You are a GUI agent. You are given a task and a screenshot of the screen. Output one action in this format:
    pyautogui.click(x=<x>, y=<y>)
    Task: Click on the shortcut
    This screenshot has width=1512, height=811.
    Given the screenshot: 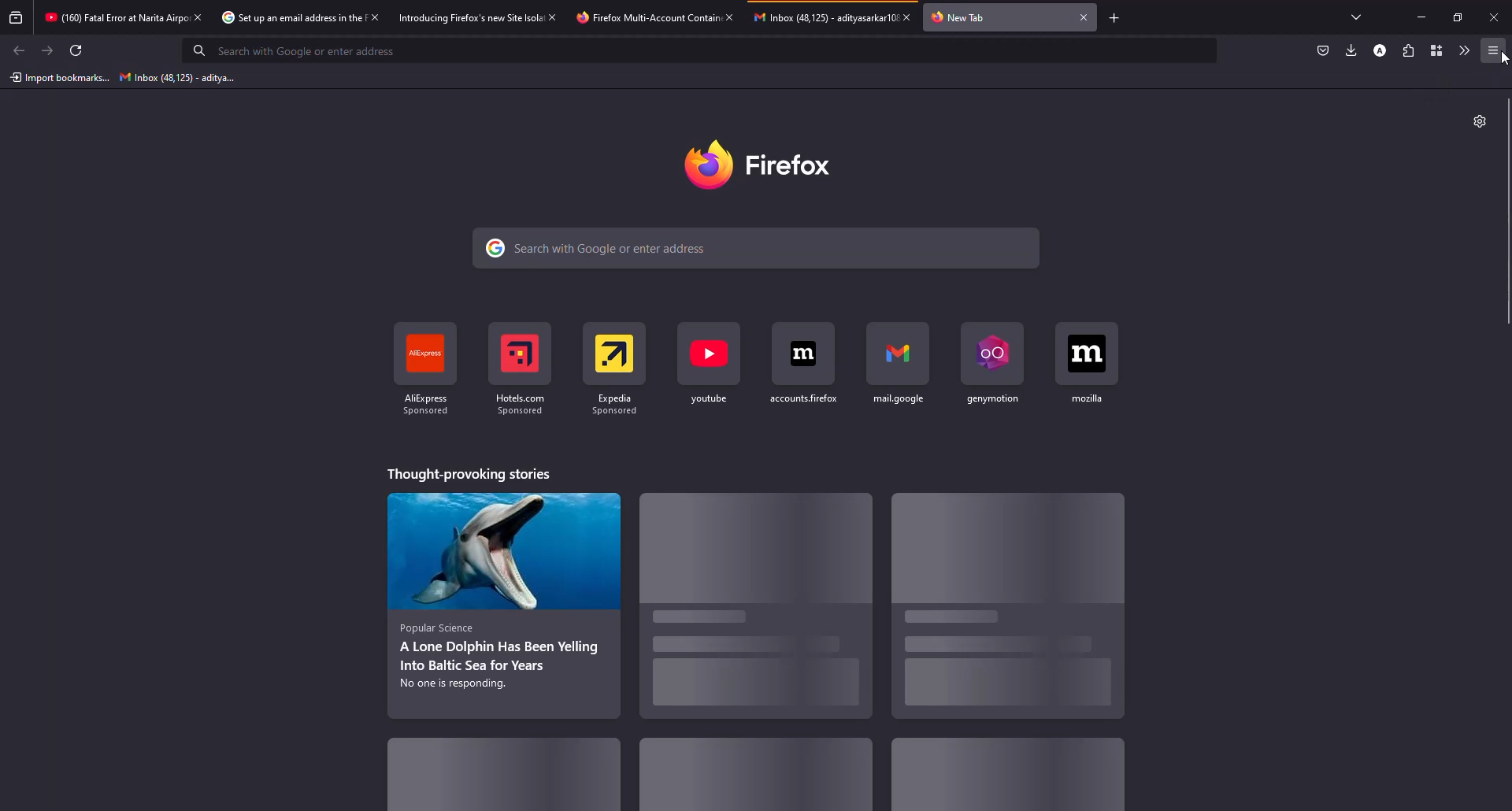 What is the action you would take?
    pyautogui.click(x=707, y=365)
    